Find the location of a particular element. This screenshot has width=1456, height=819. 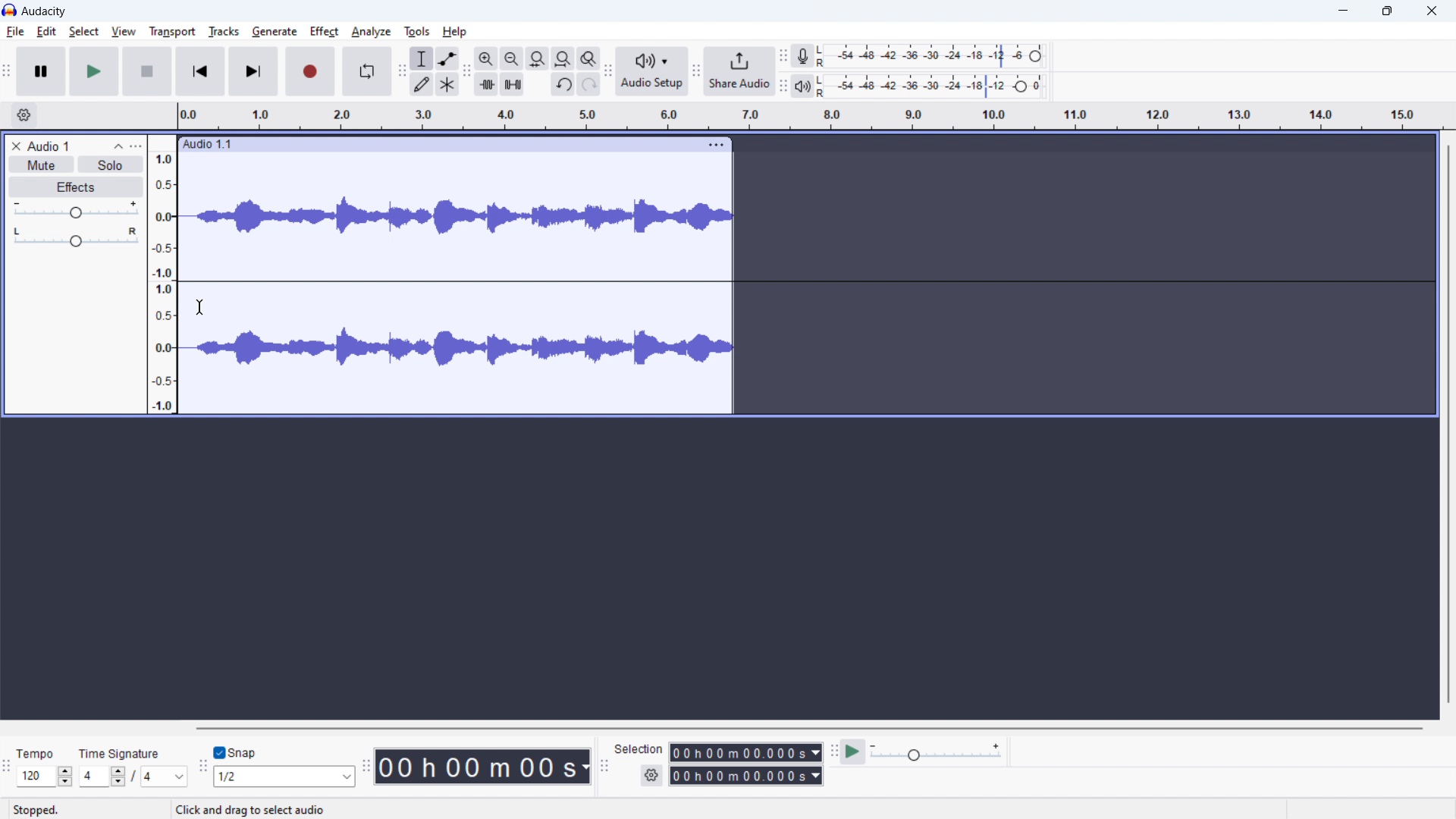

timestamp is located at coordinates (484, 766).